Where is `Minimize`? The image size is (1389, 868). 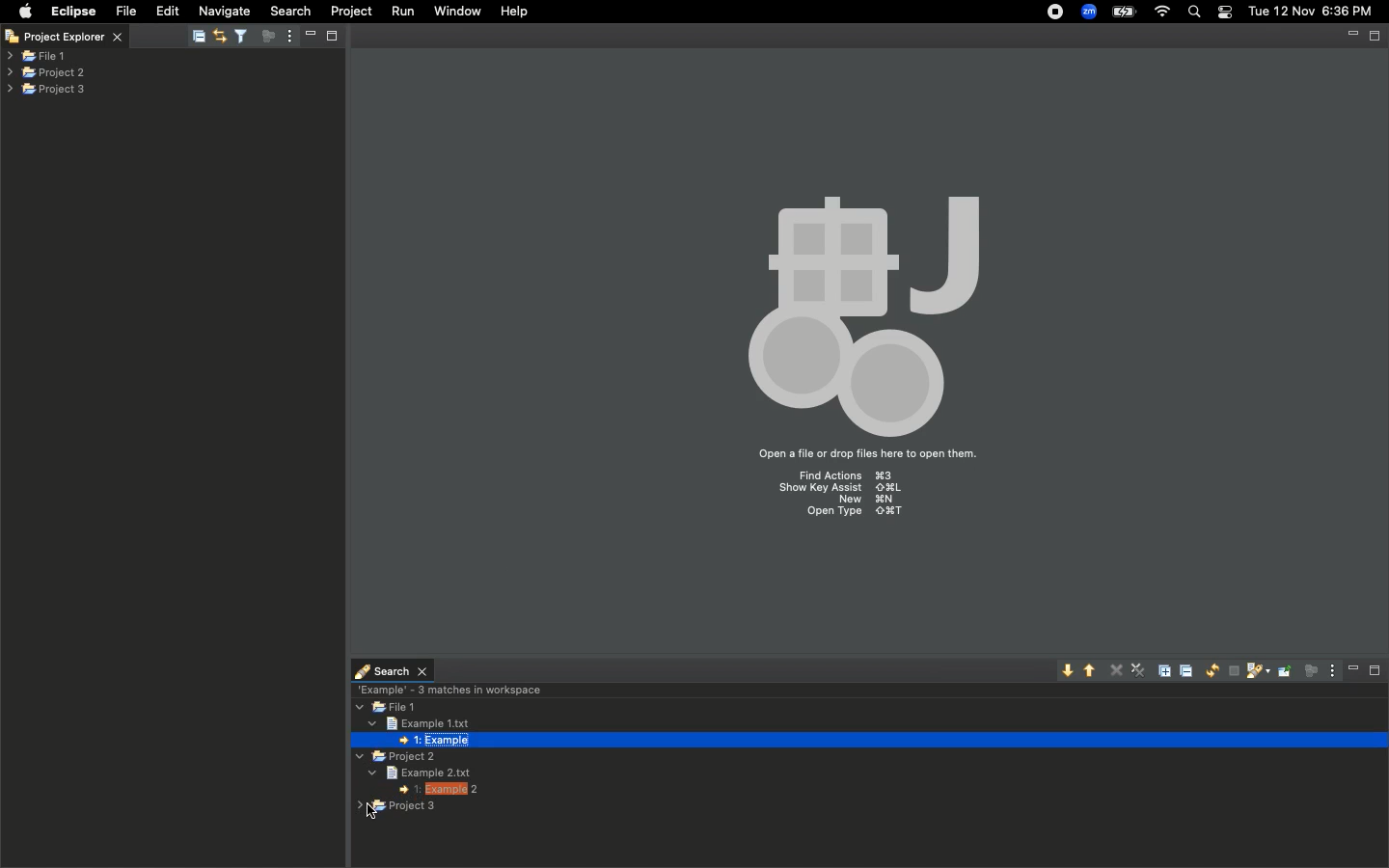 Minimize is located at coordinates (1353, 669).